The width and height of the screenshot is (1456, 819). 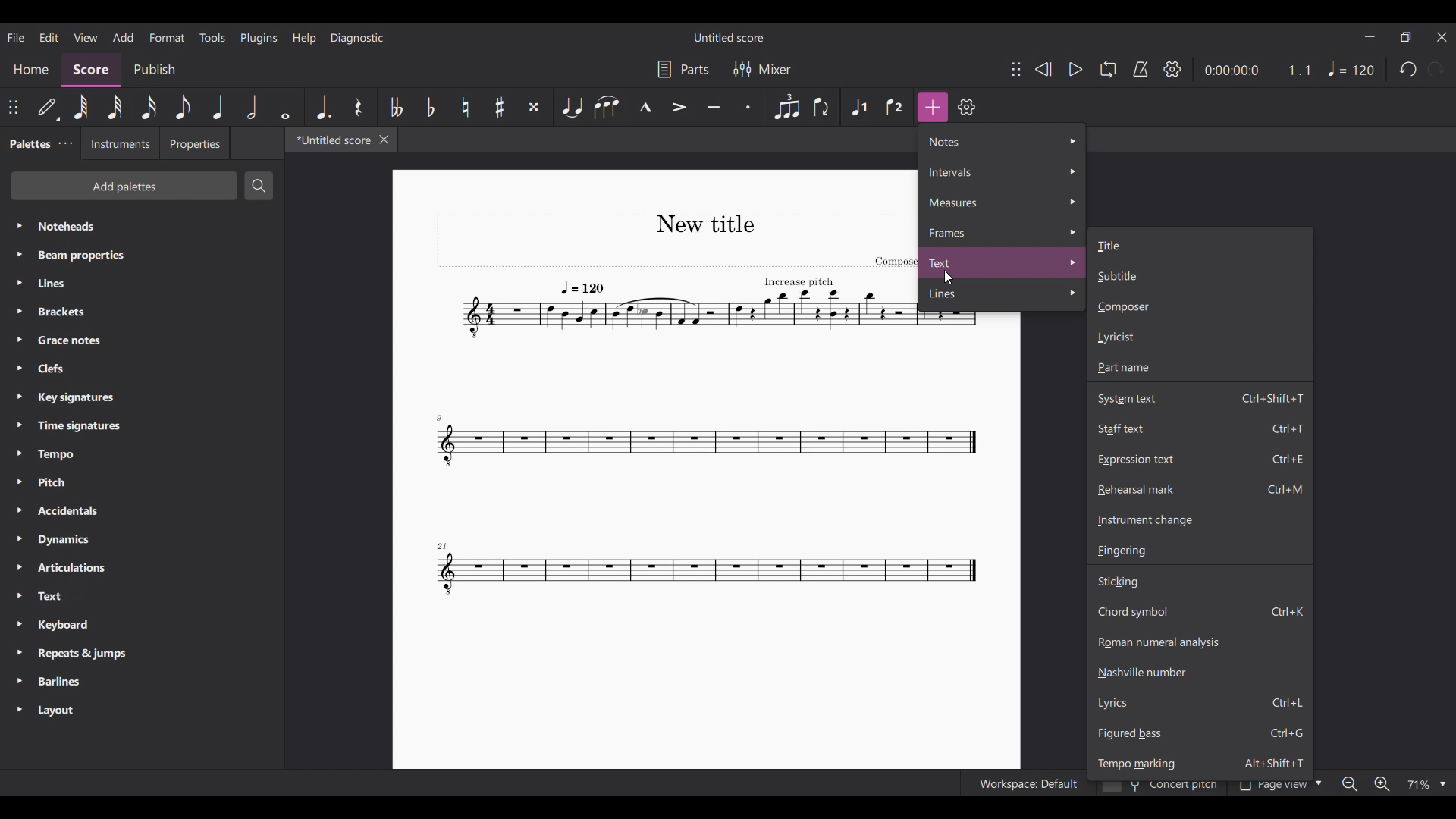 I want to click on Add palettes, so click(x=124, y=186).